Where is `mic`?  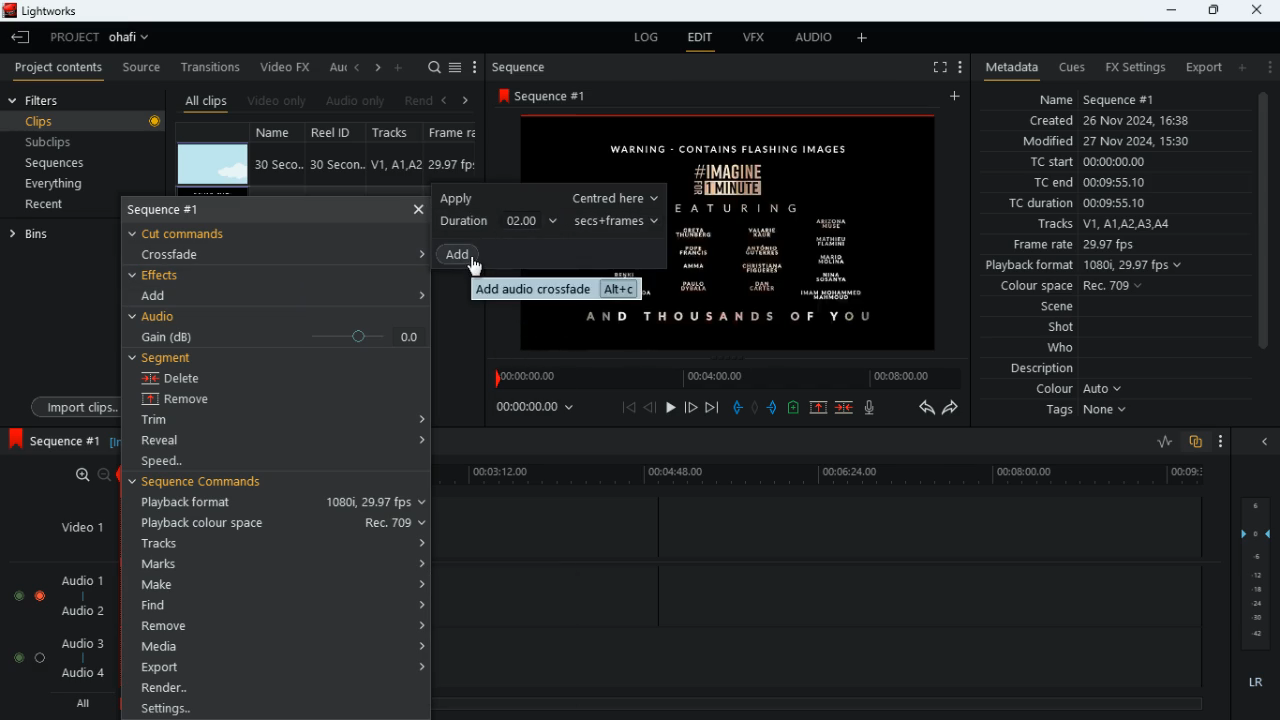
mic is located at coordinates (871, 407).